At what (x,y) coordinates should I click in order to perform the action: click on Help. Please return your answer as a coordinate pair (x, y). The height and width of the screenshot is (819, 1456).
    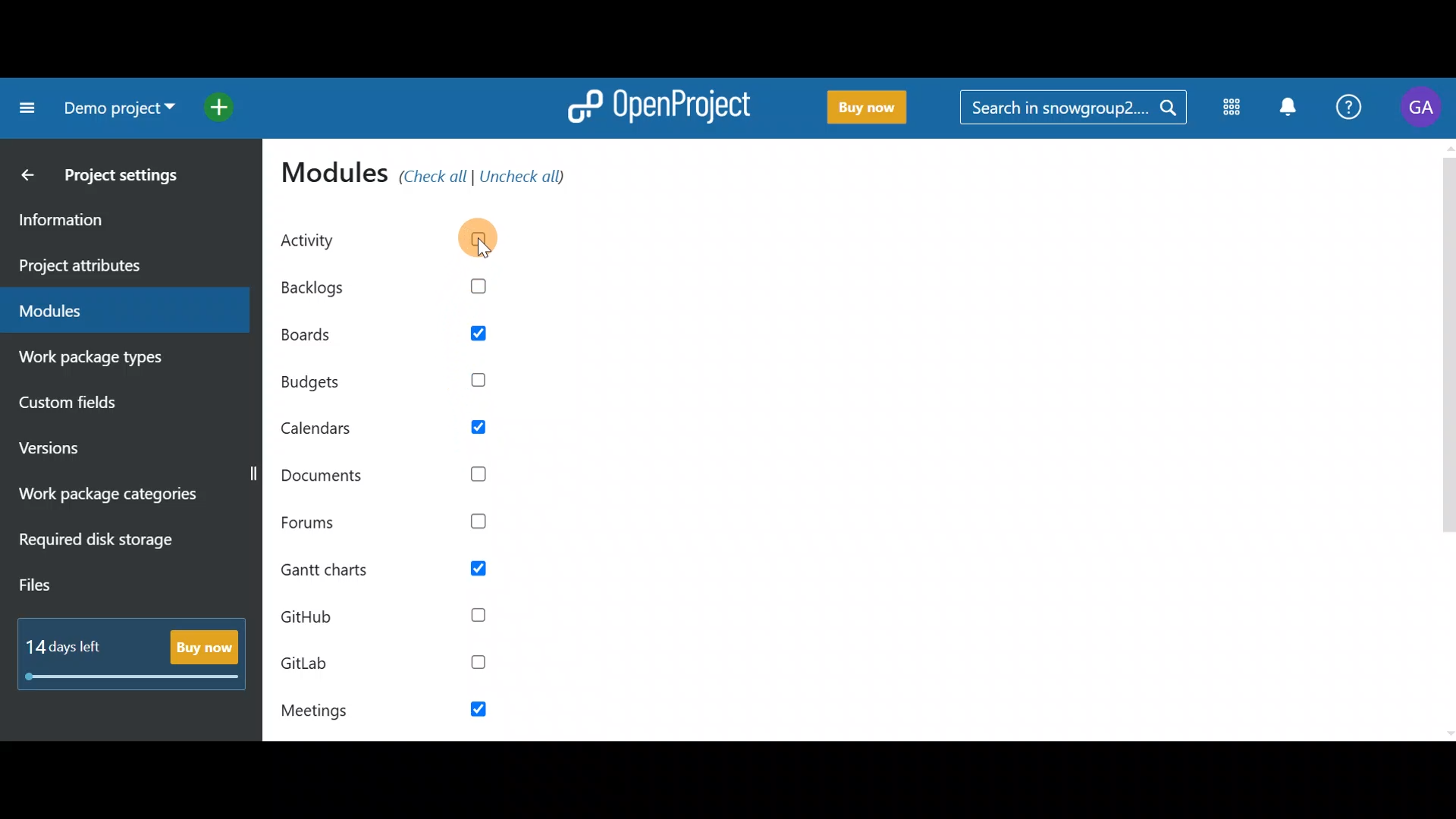
    Looking at the image, I should click on (1347, 111).